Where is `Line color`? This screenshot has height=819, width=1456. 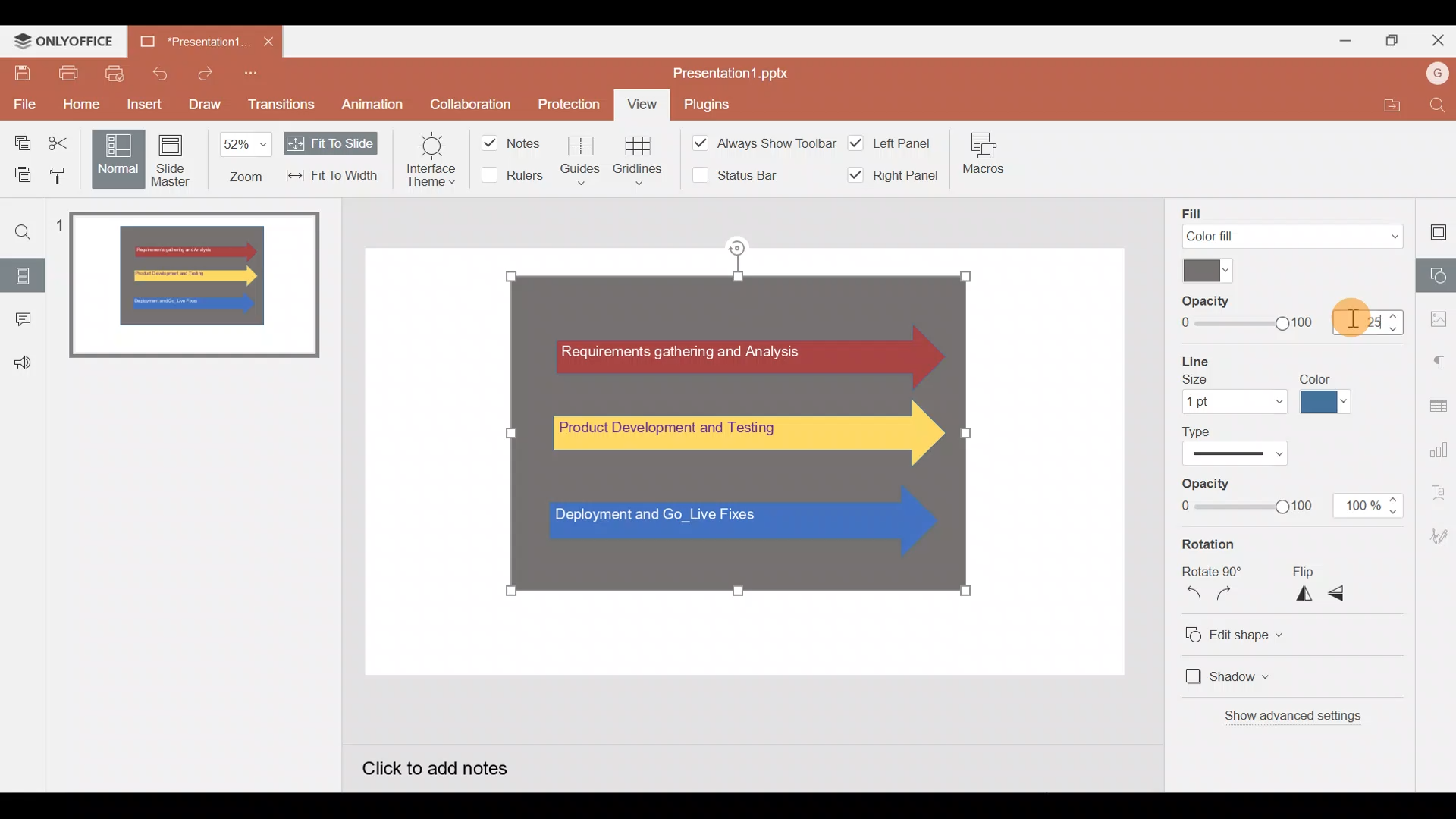
Line color is located at coordinates (1328, 395).